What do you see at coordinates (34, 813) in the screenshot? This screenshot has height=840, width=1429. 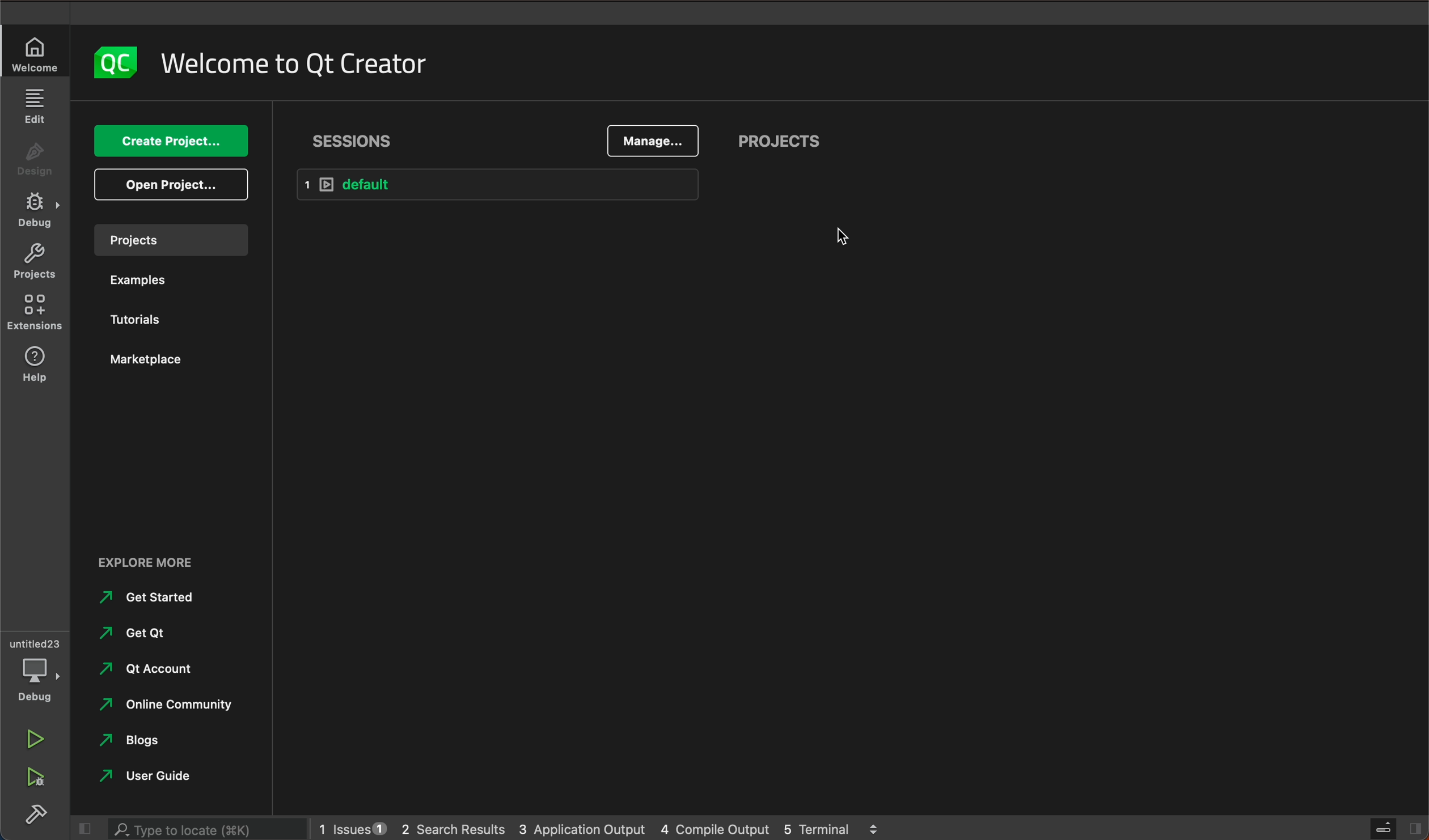 I see `build` at bounding box center [34, 813].